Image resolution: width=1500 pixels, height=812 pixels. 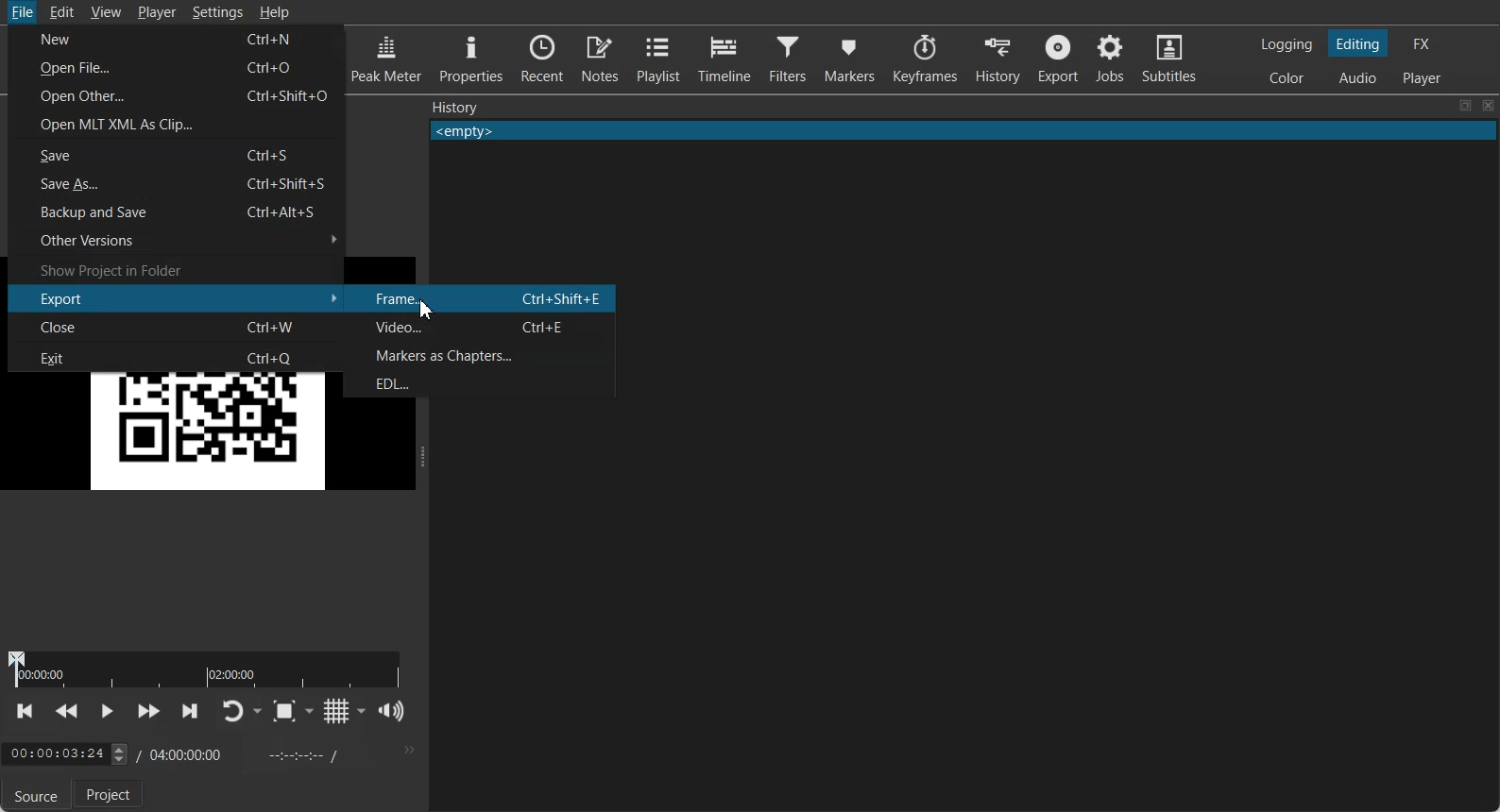 What do you see at coordinates (275, 156) in the screenshot?
I see `Ctrl+S` at bounding box center [275, 156].